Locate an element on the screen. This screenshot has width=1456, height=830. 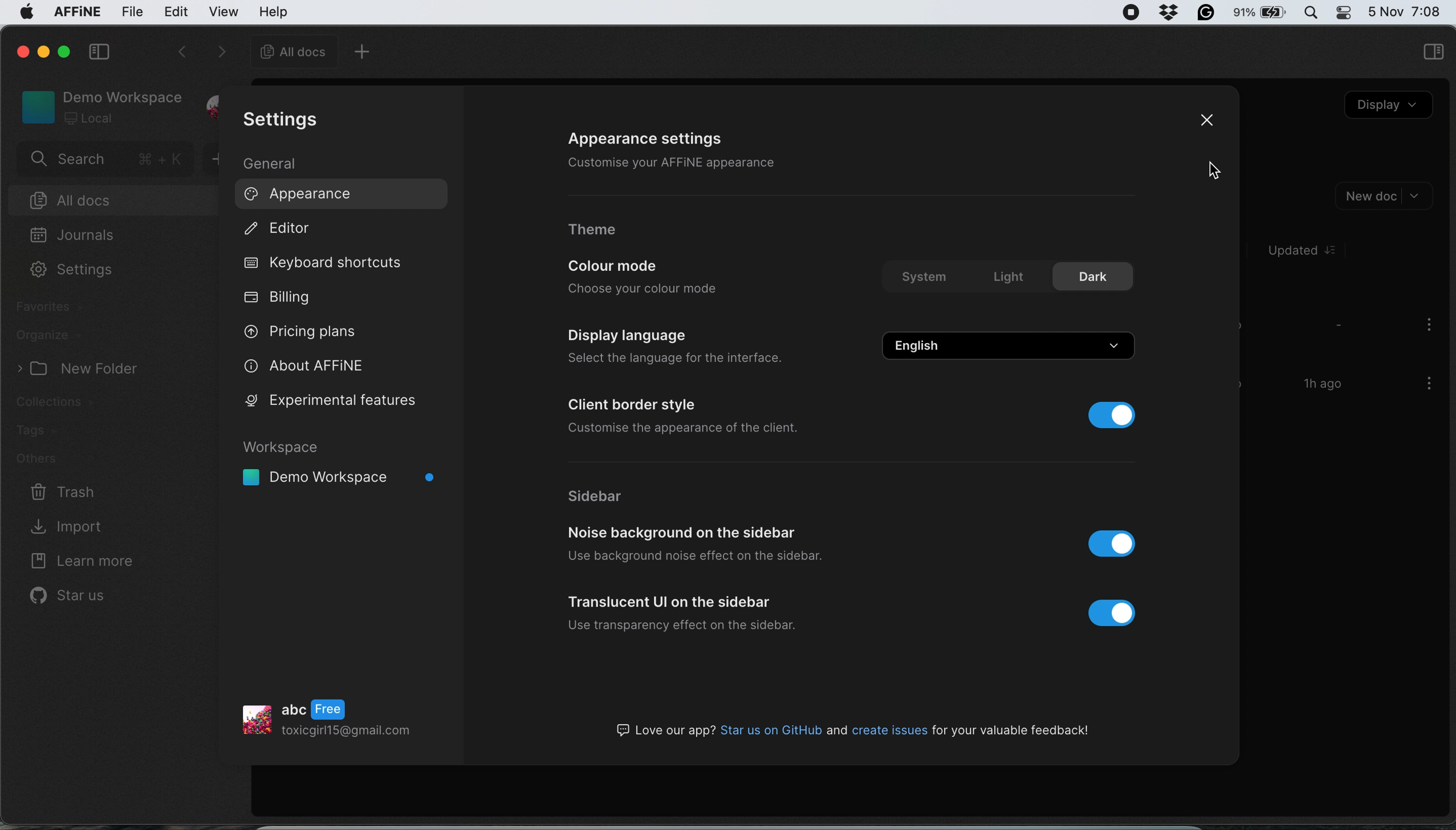
view is located at coordinates (224, 13).